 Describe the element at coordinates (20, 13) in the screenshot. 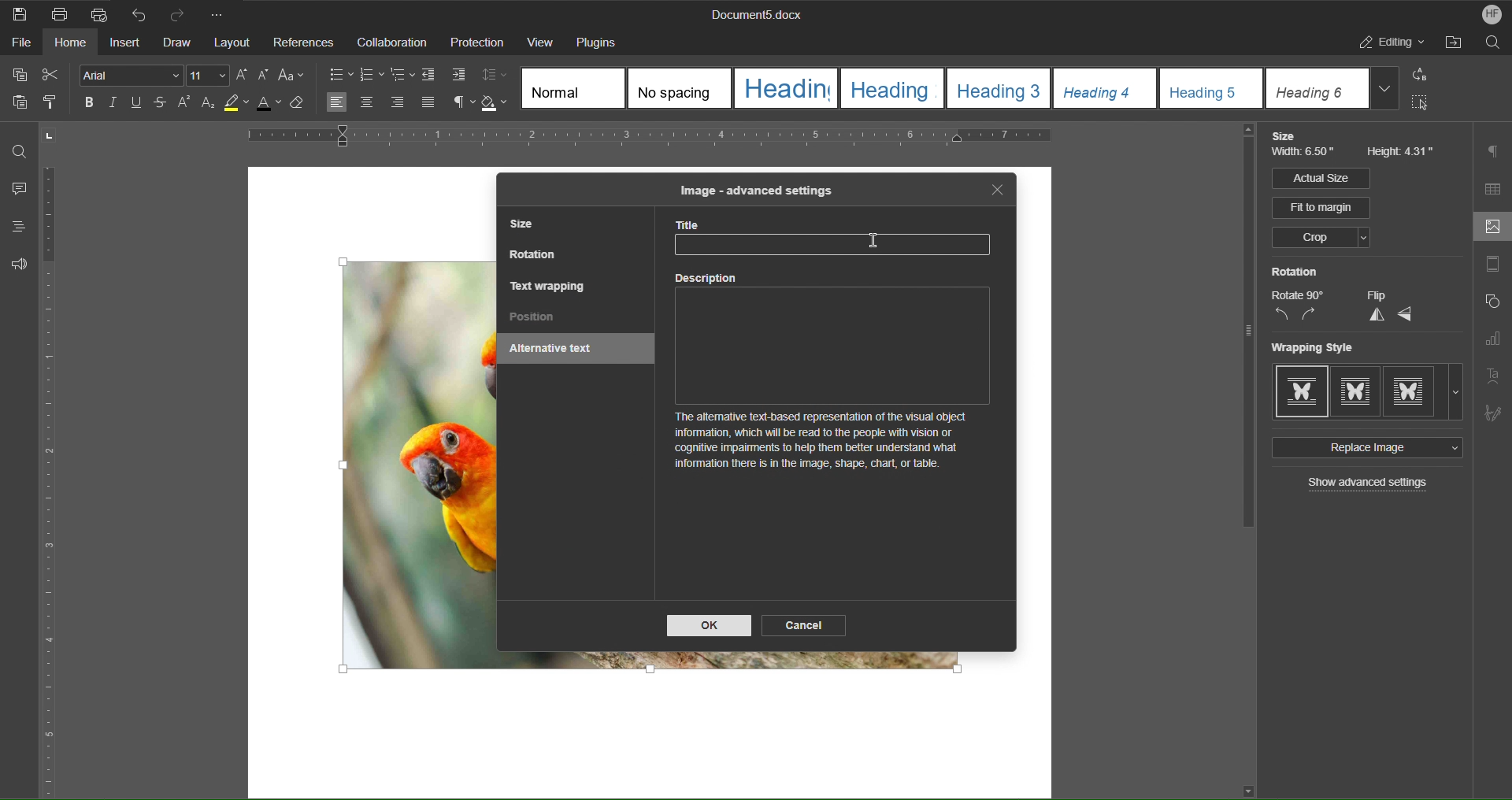

I see `Save` at that location.